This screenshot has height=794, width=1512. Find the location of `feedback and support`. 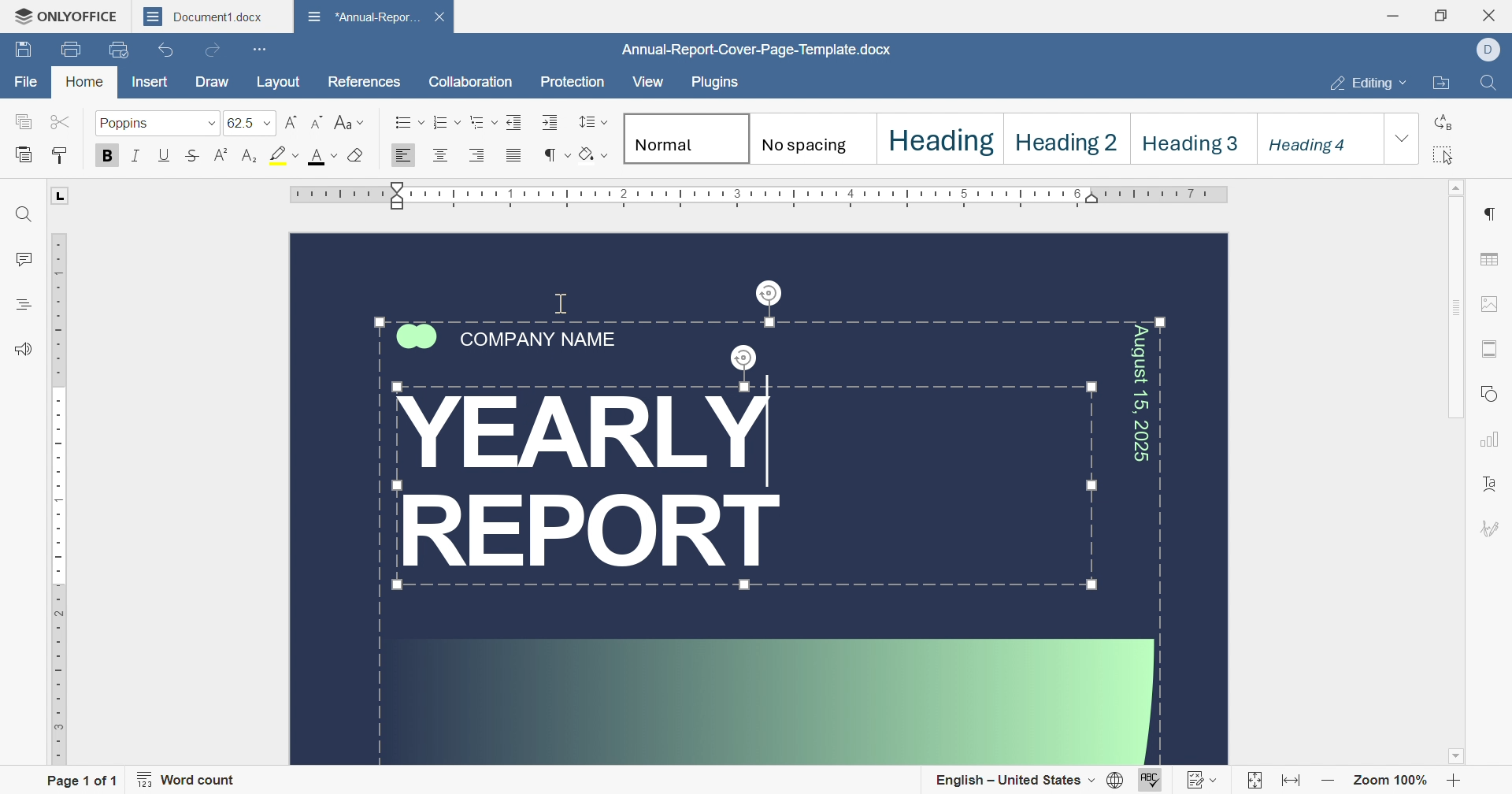

feedback and support is located at coordinates (28, 350).